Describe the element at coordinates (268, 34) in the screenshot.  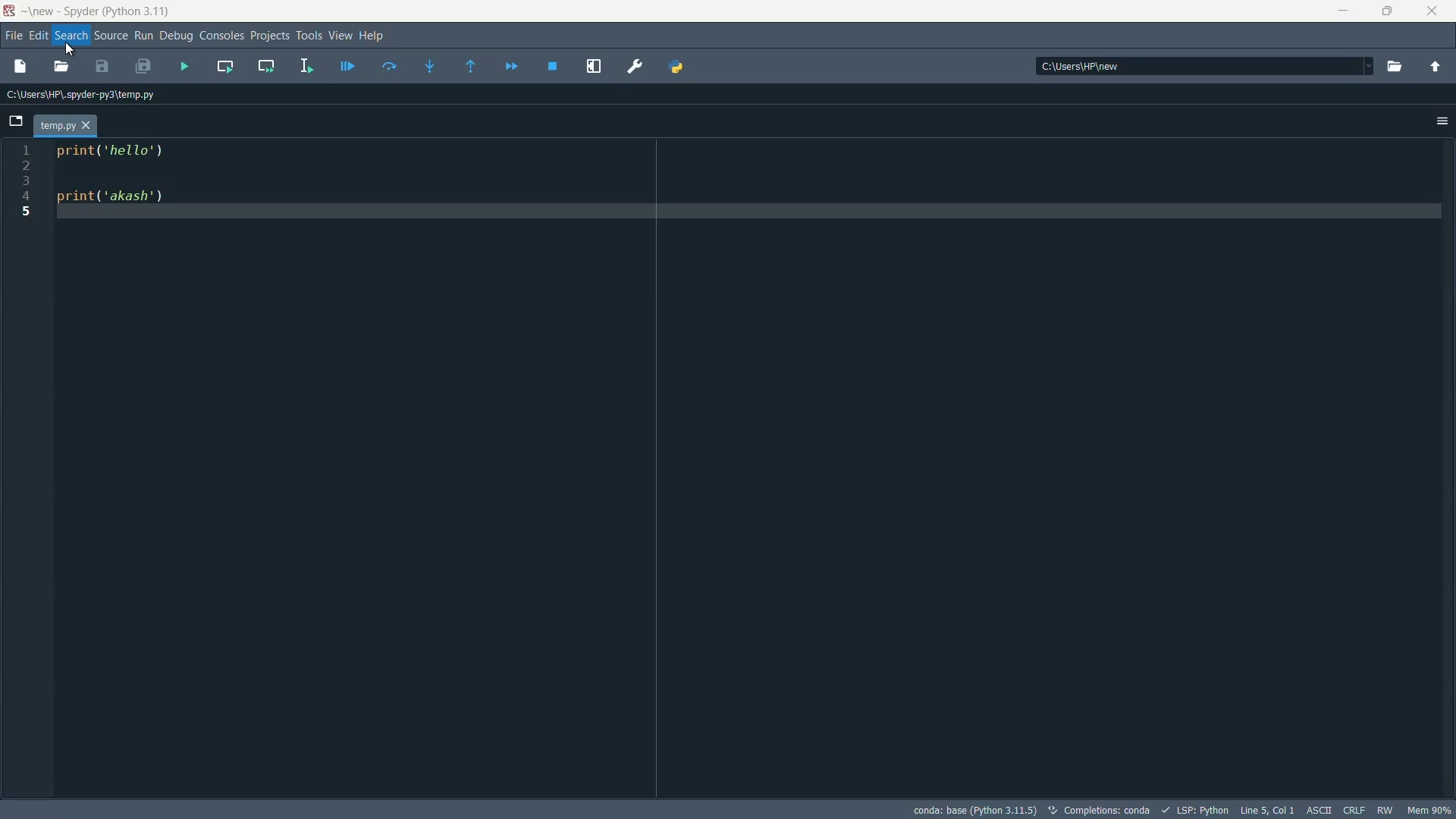
I see `projects menu` at that location.